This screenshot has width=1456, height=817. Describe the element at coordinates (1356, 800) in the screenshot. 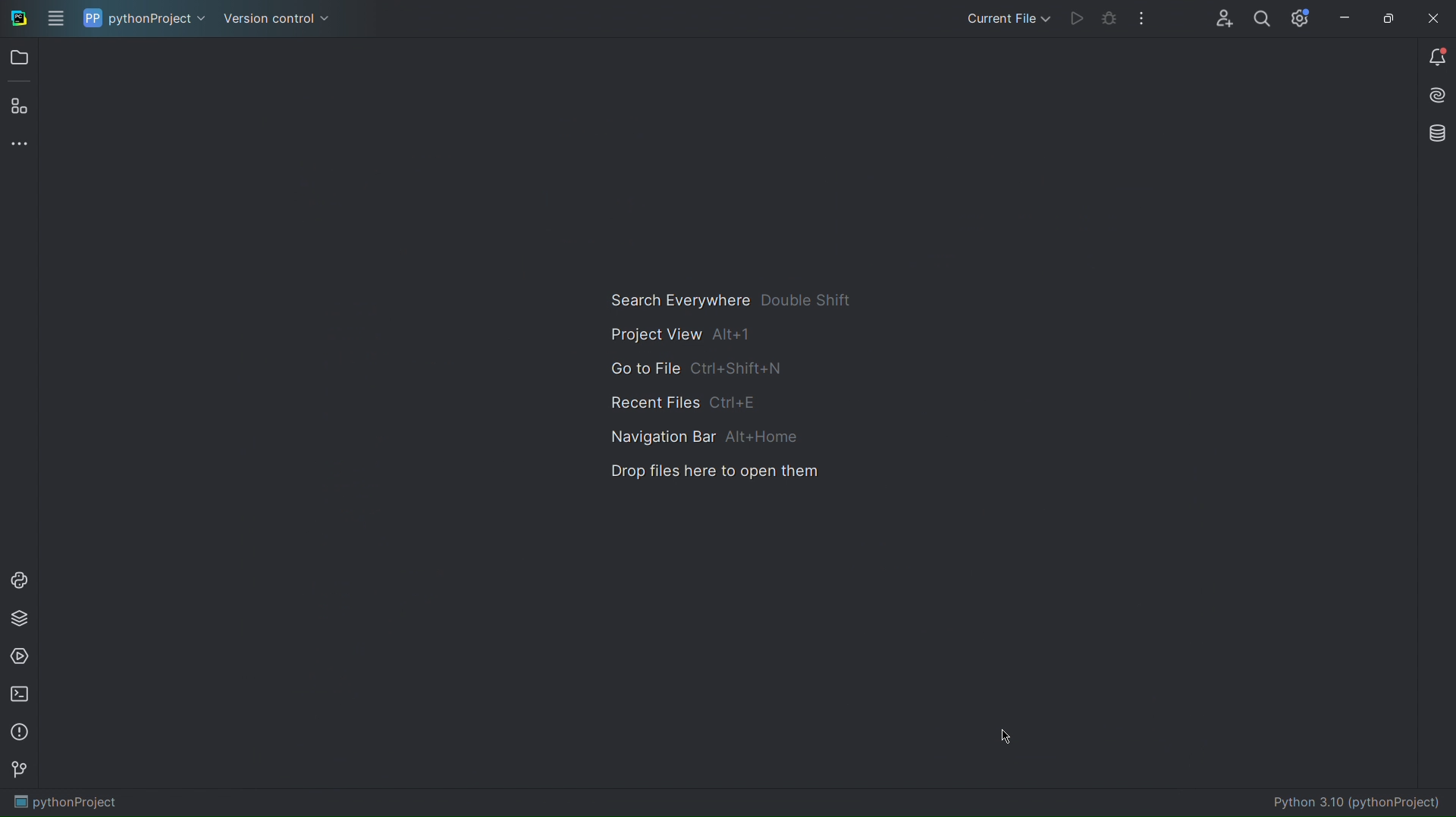

I see `Python 3.10 (pythonProject)` at that location.